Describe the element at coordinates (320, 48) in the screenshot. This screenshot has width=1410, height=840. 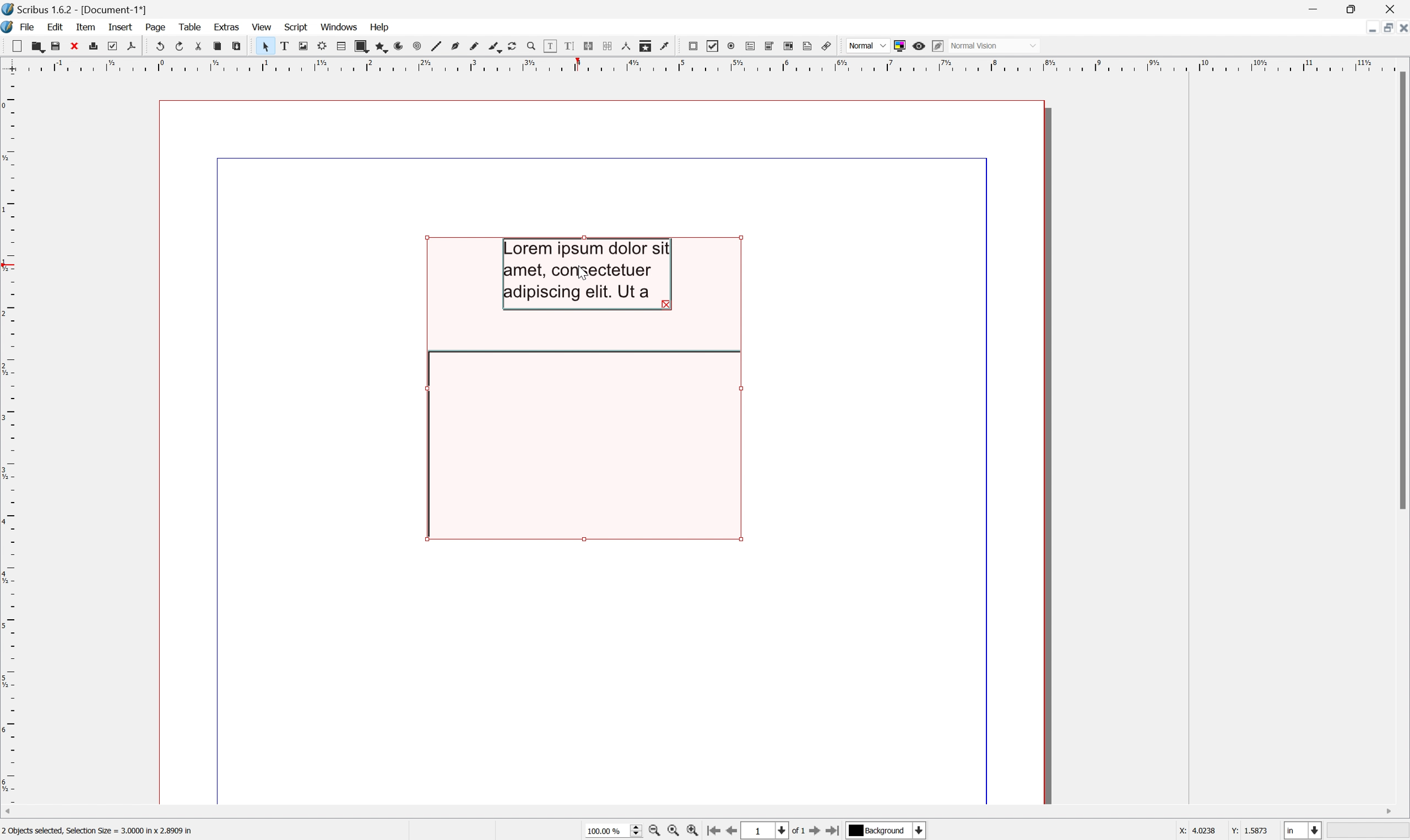
I see `Render frame` at that location.